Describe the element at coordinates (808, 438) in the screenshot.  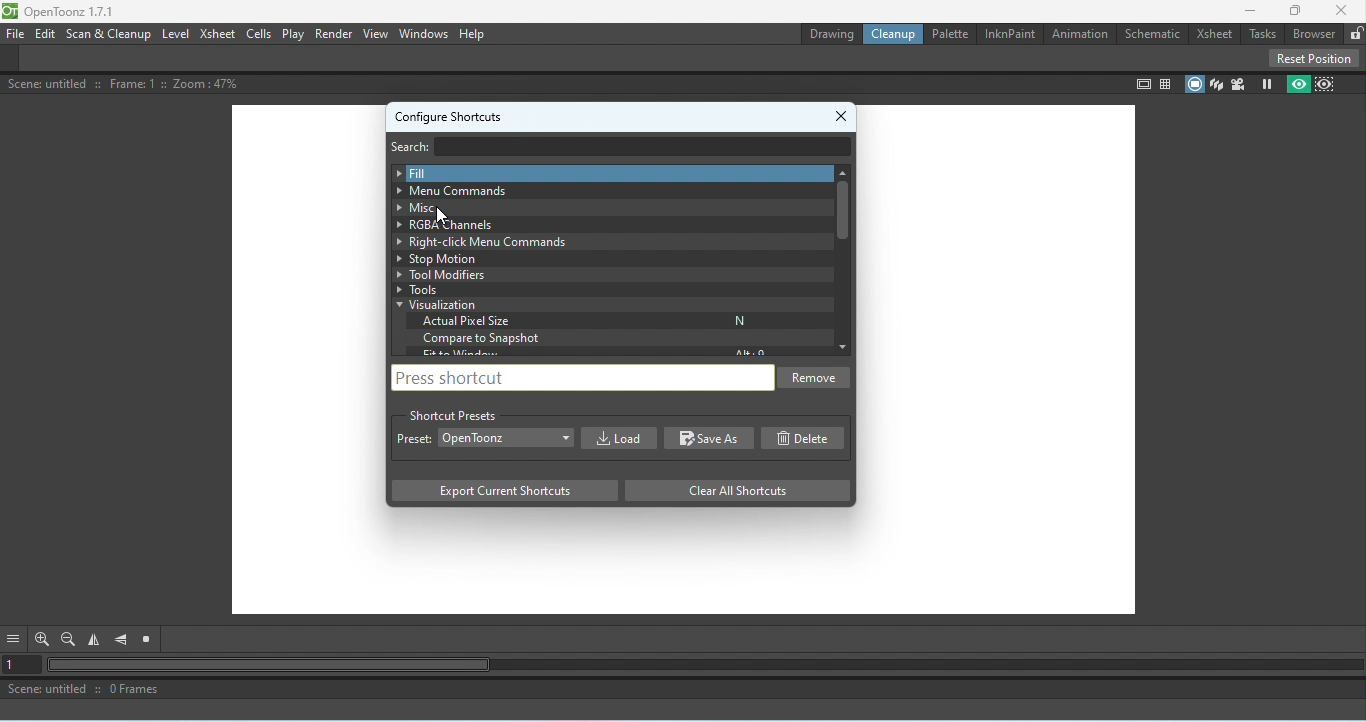
I see `Delete` at that location.